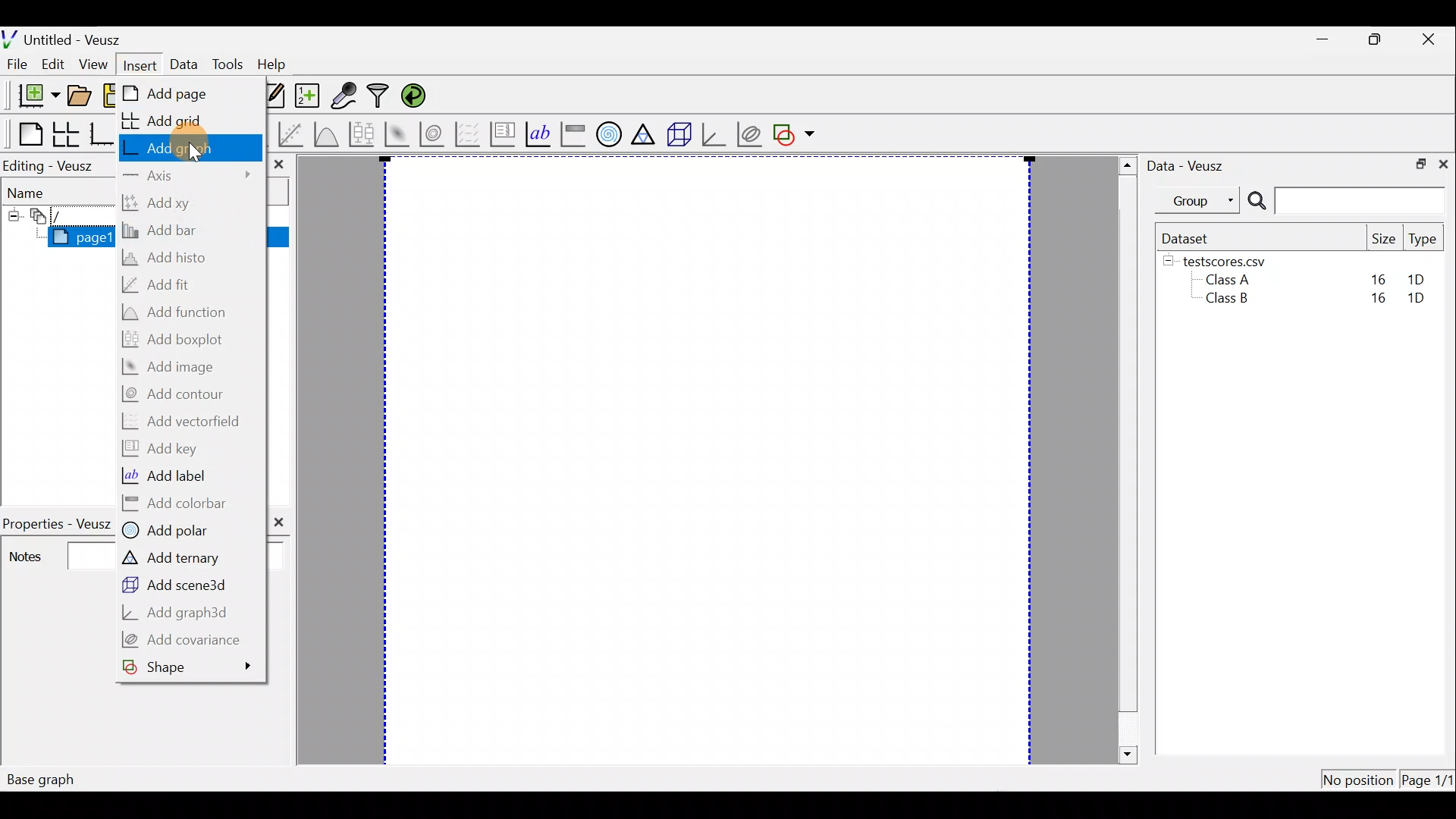  Describe the element at coordinates (185, 640) in the screenshot. I see `Add covariance` at that location.